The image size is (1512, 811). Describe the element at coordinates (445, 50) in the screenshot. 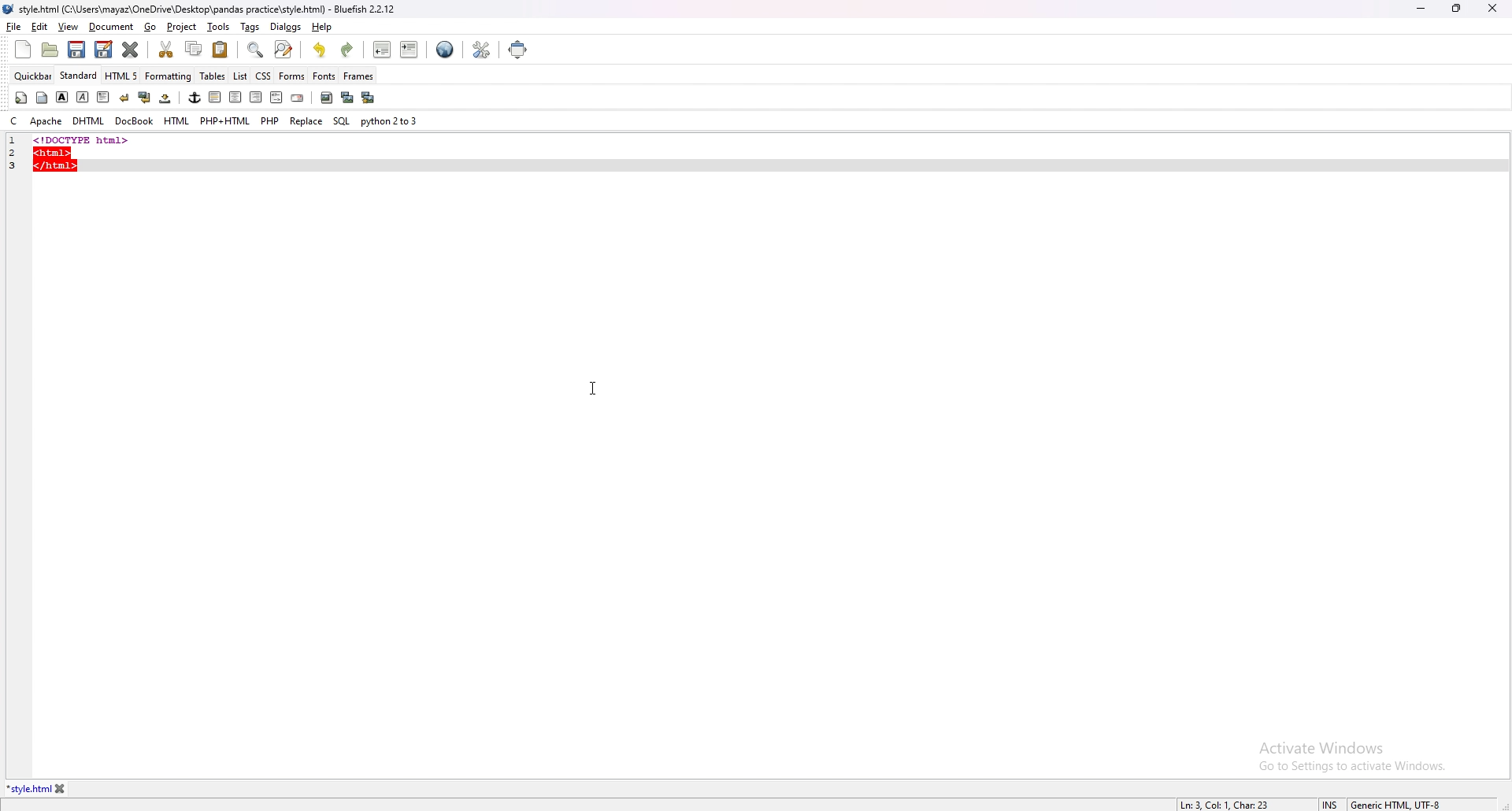

I see `web preview` at that location.